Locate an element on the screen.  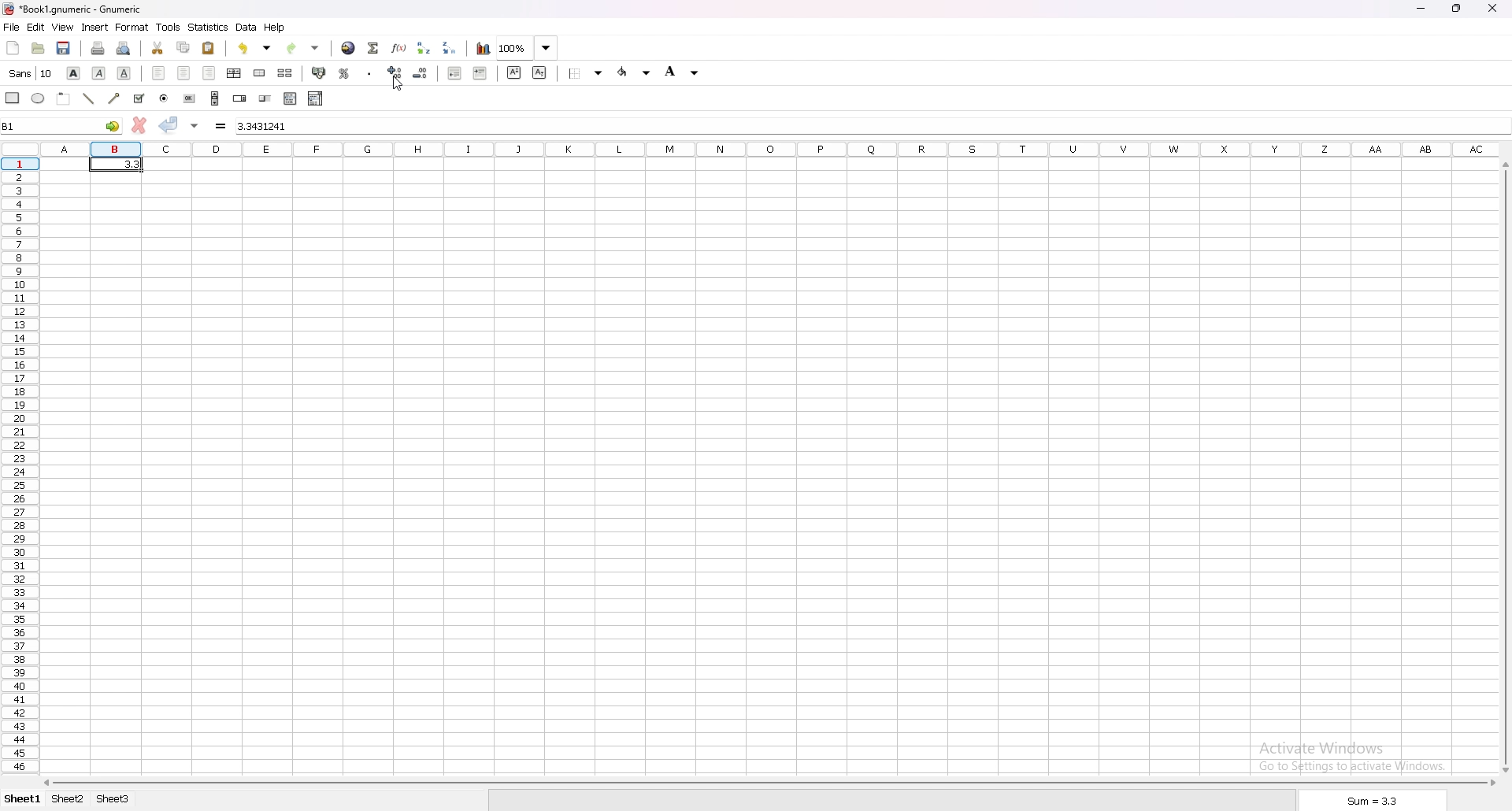
100% is located at coordinates (528, 47).